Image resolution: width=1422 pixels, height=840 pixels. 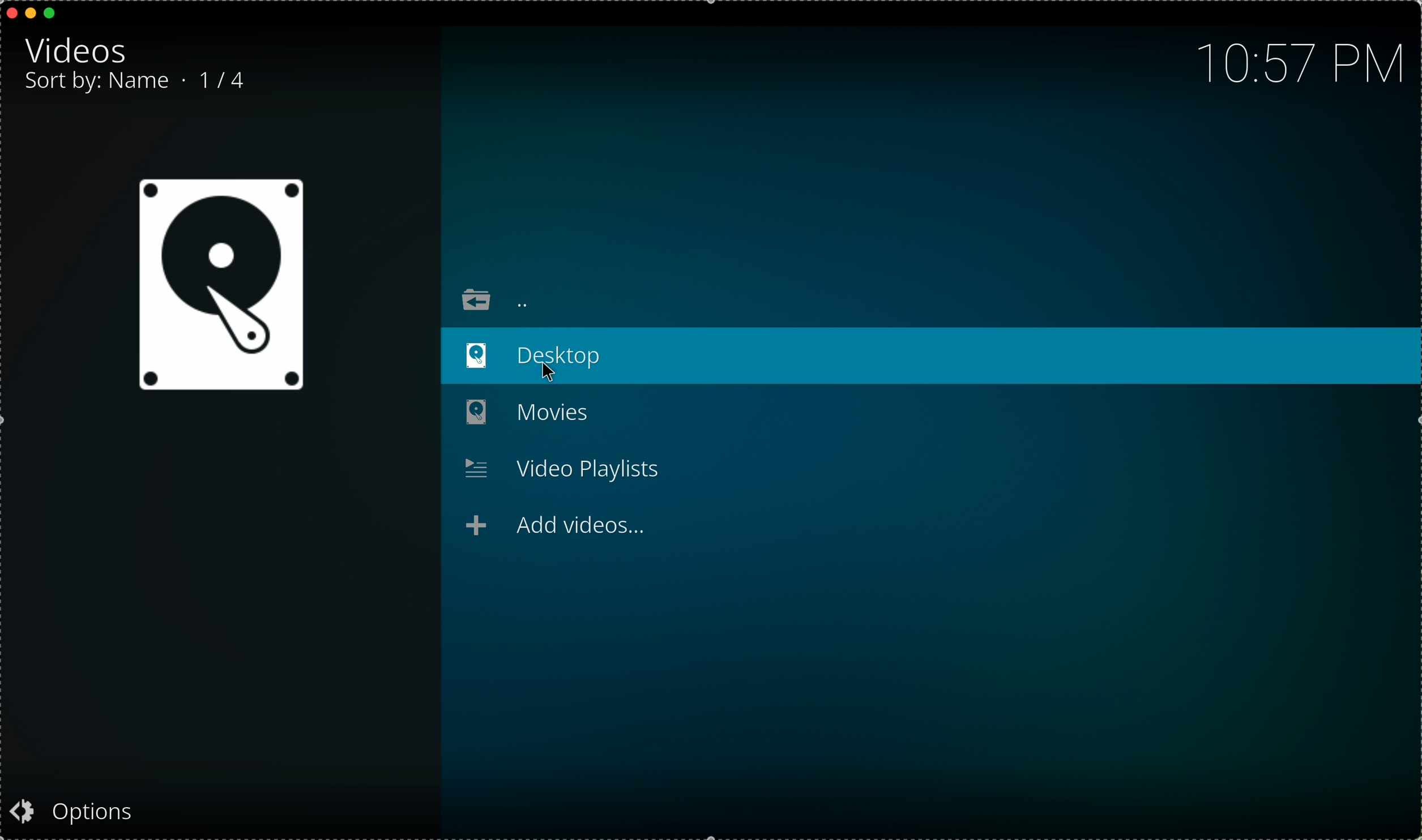 I want to click on videos icon, so click(x=220, y=286).